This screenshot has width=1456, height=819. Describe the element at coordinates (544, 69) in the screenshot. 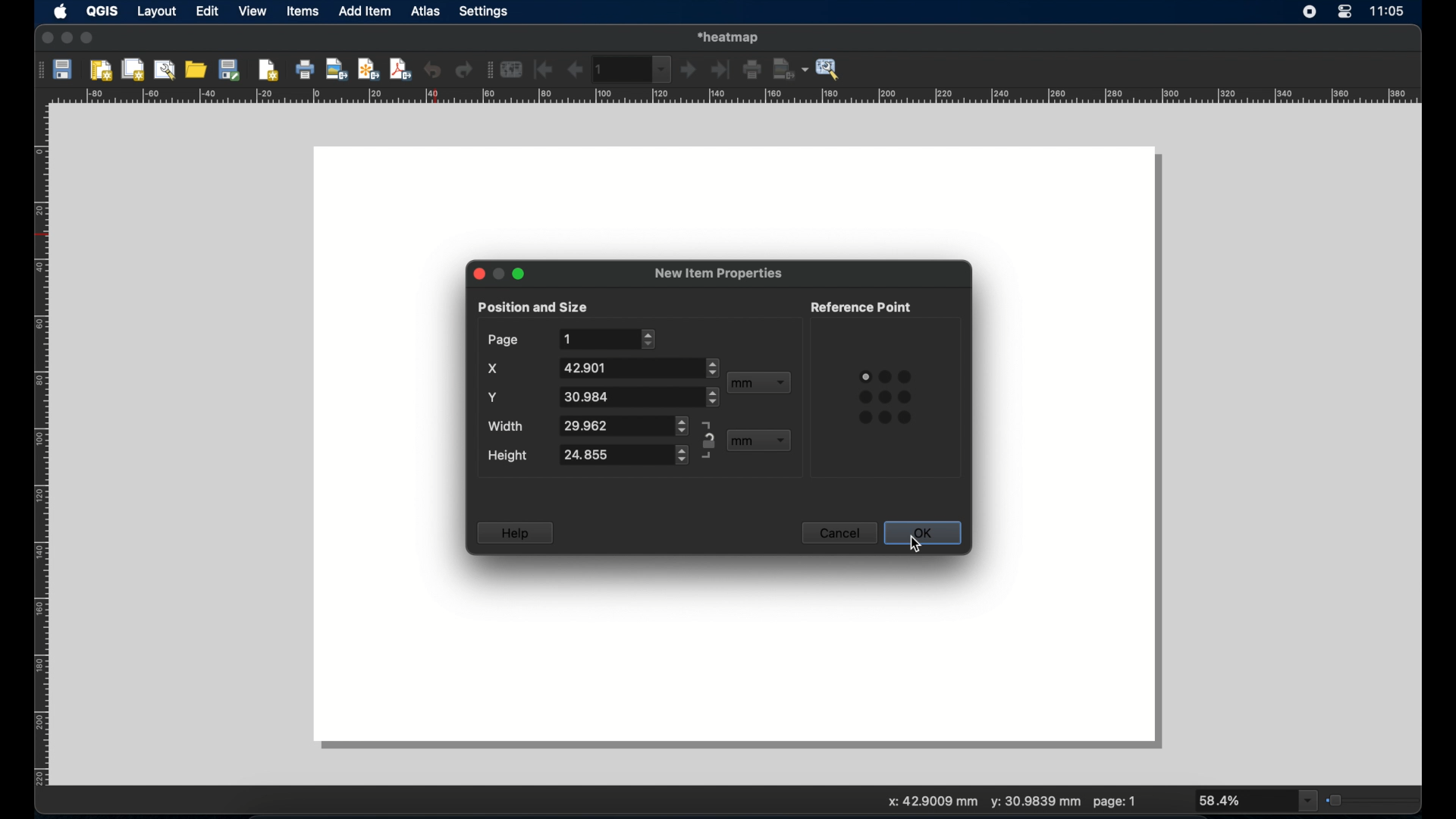

I see `first feature` at that location.